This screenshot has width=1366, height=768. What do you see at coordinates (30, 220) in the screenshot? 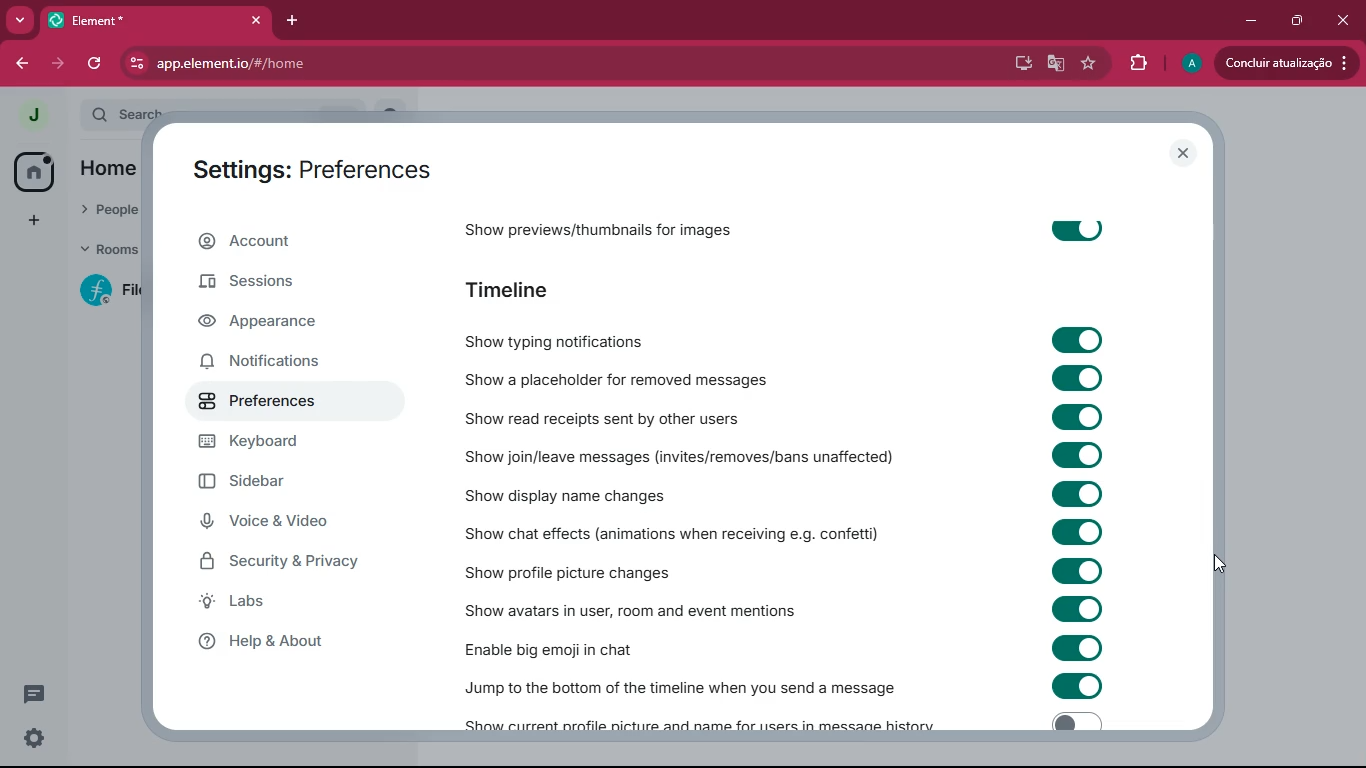
I see `add` at bounding box center [30, 220].